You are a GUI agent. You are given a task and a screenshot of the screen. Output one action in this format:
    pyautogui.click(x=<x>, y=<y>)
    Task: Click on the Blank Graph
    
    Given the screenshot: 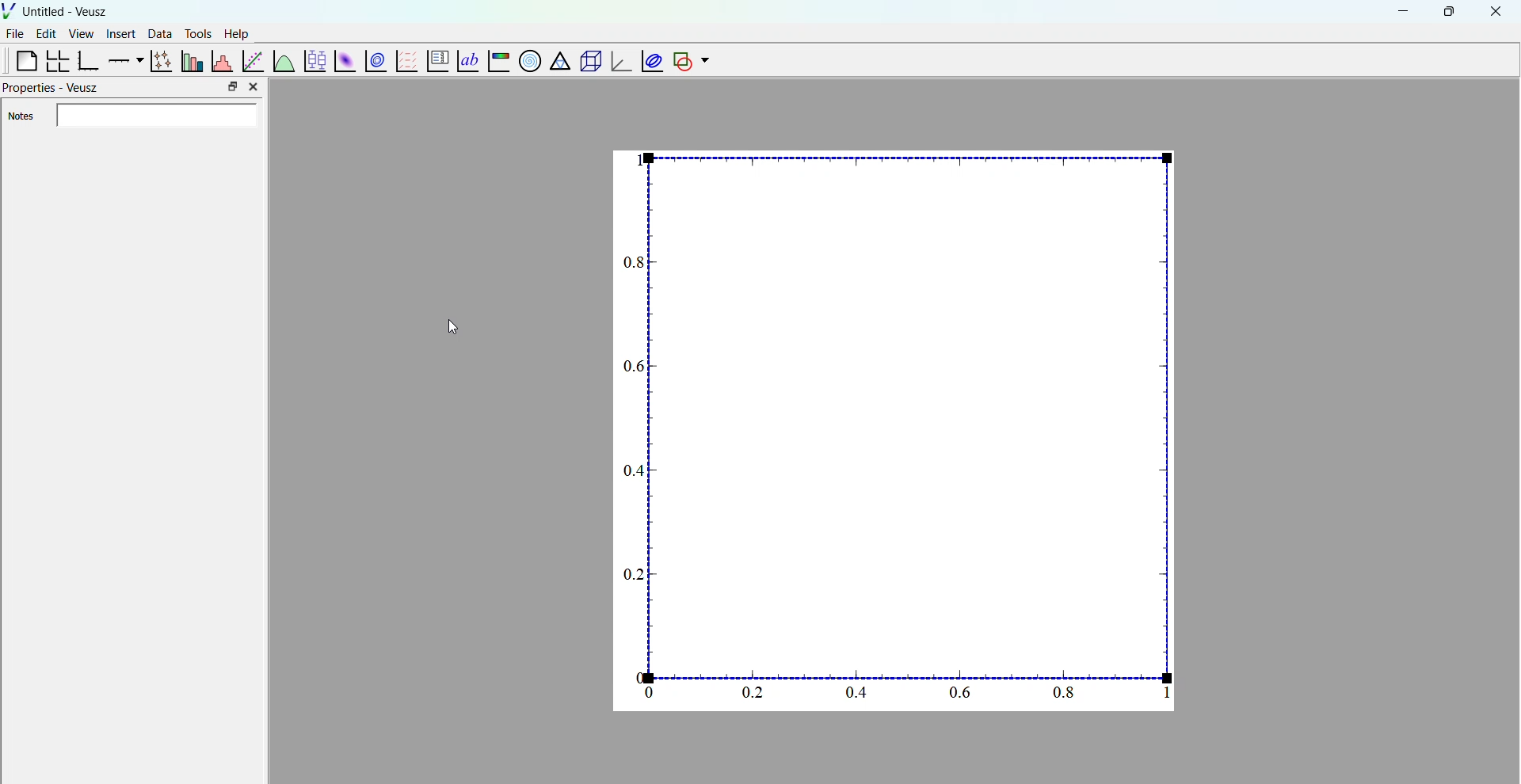 What is the action you would take?
    pyautogui.click(x=913, y=413)
    